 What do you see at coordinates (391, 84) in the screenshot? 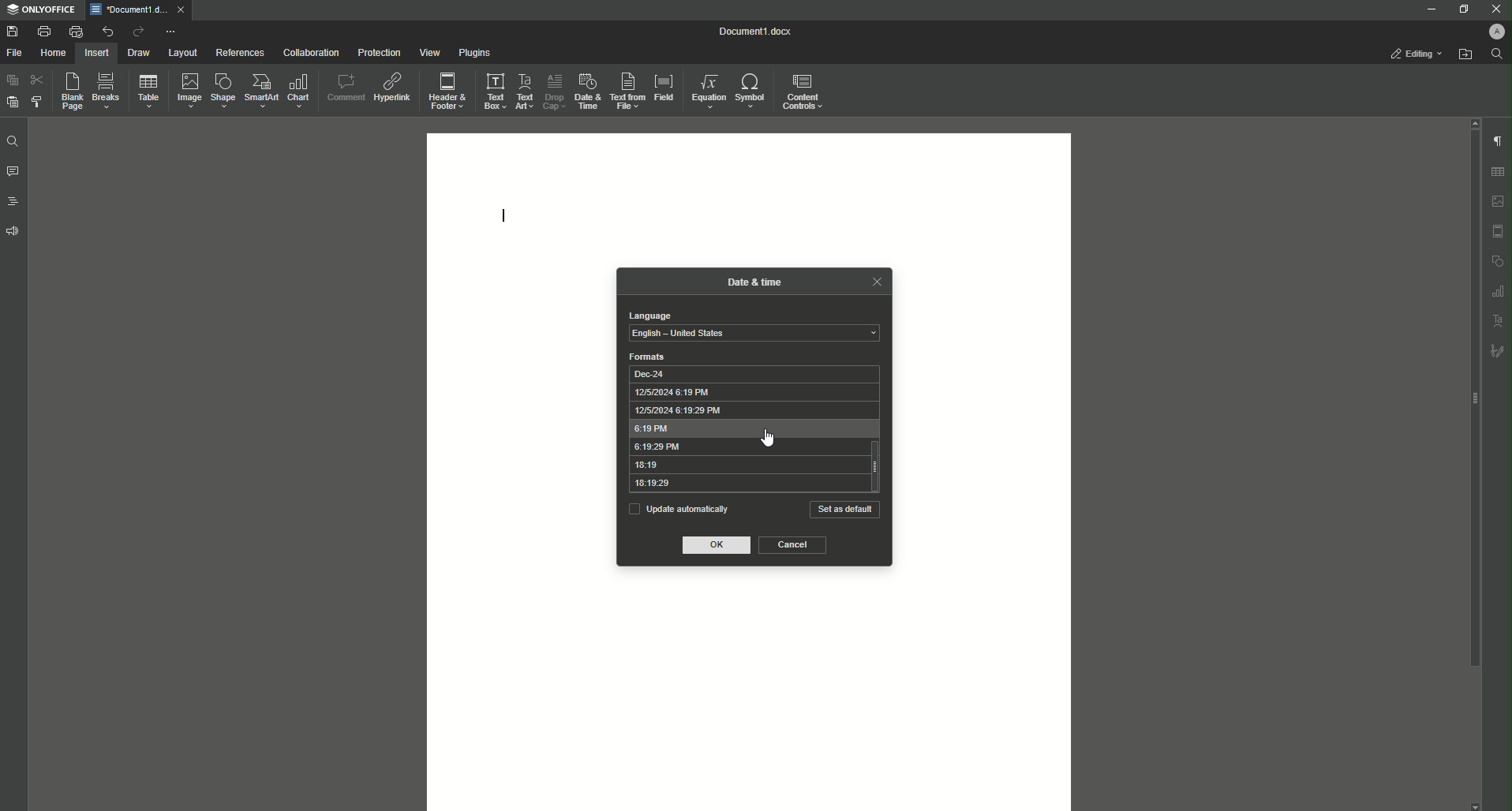
I see `Hyperlink` at bounding box center [391, 84].